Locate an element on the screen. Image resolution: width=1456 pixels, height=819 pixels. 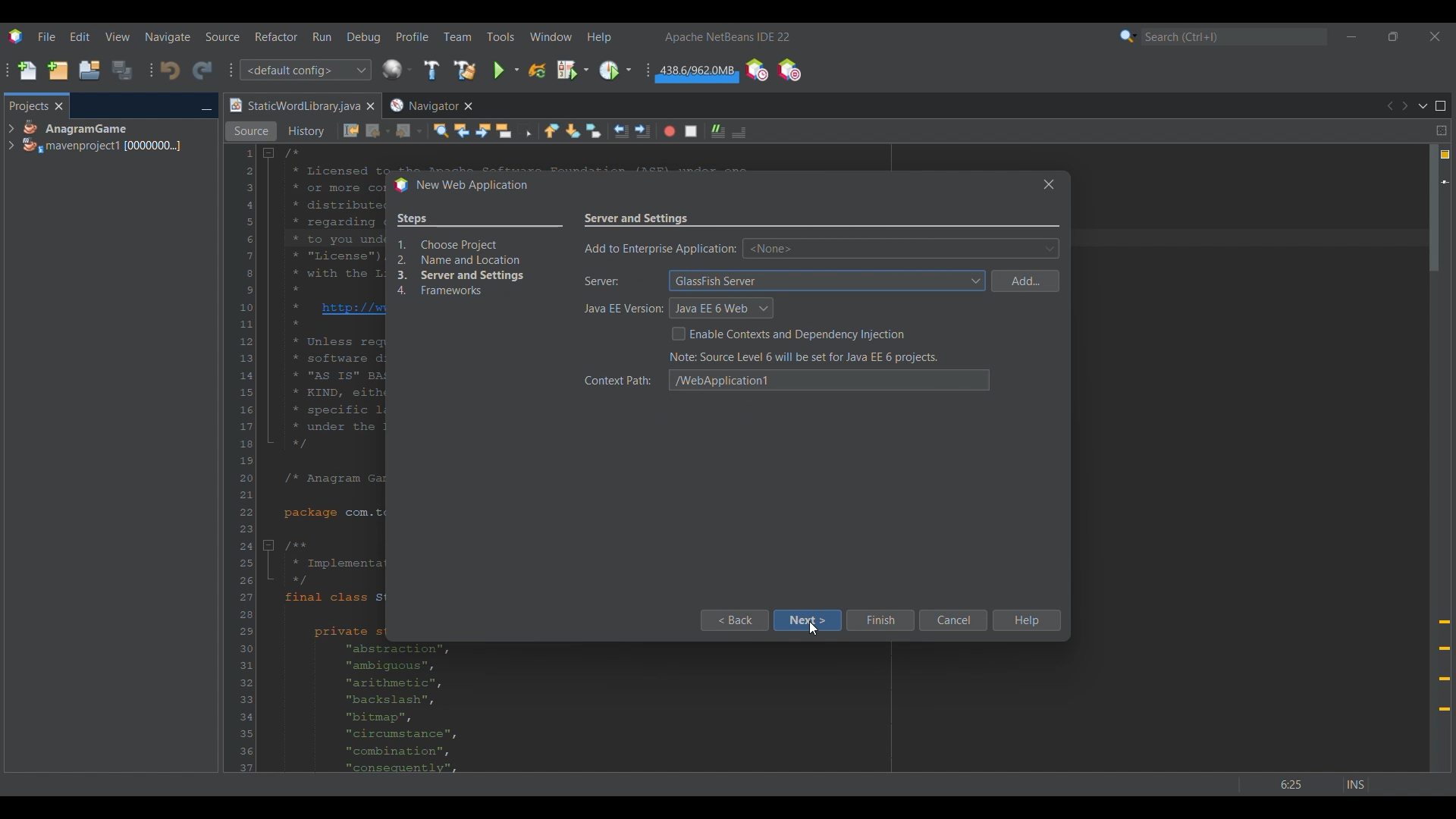
Search box is located at coordinates (1235, 36).